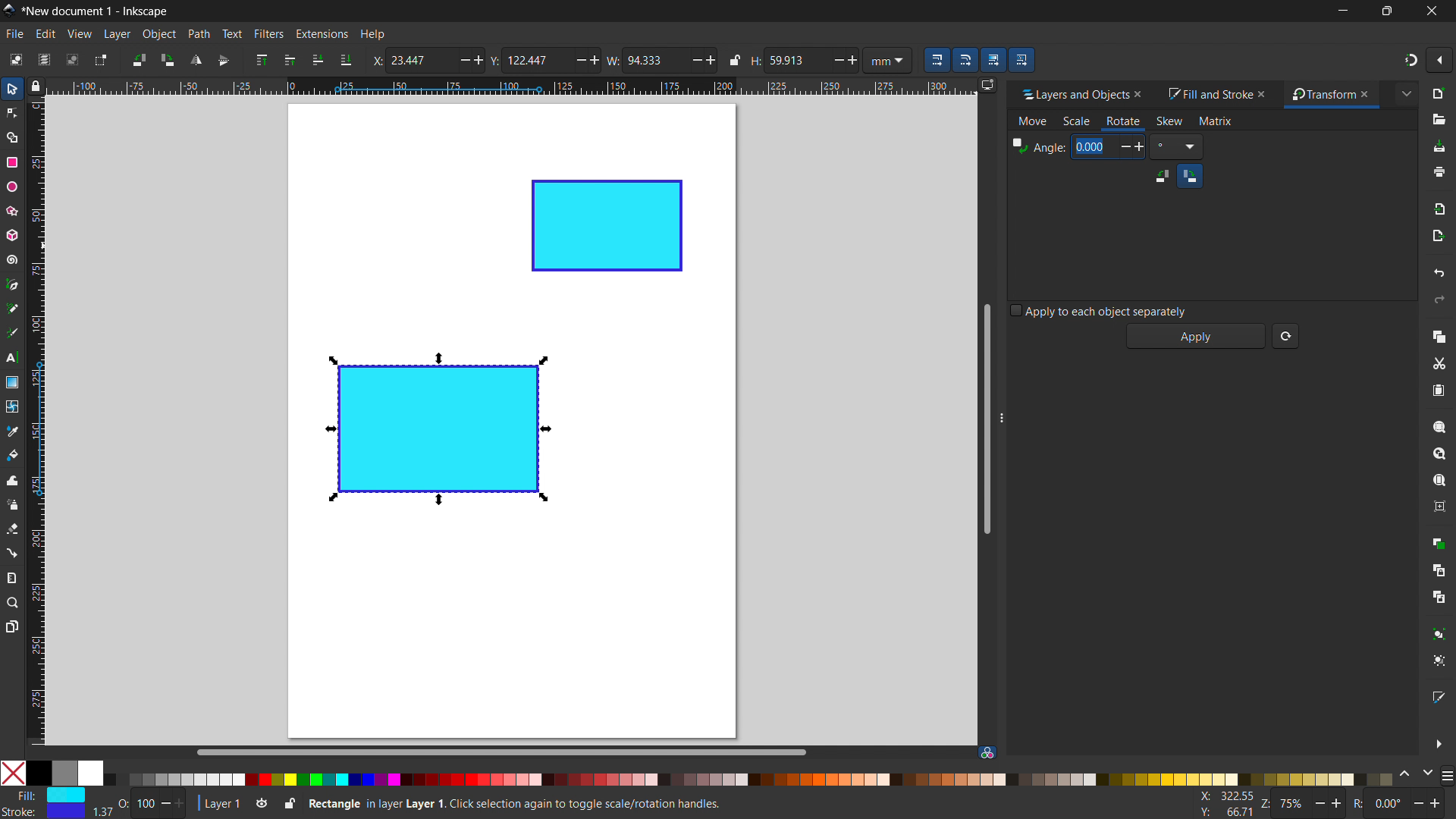 This screenshot has height=819, width=1456. I want to click on rotate, so click(1122, 121).